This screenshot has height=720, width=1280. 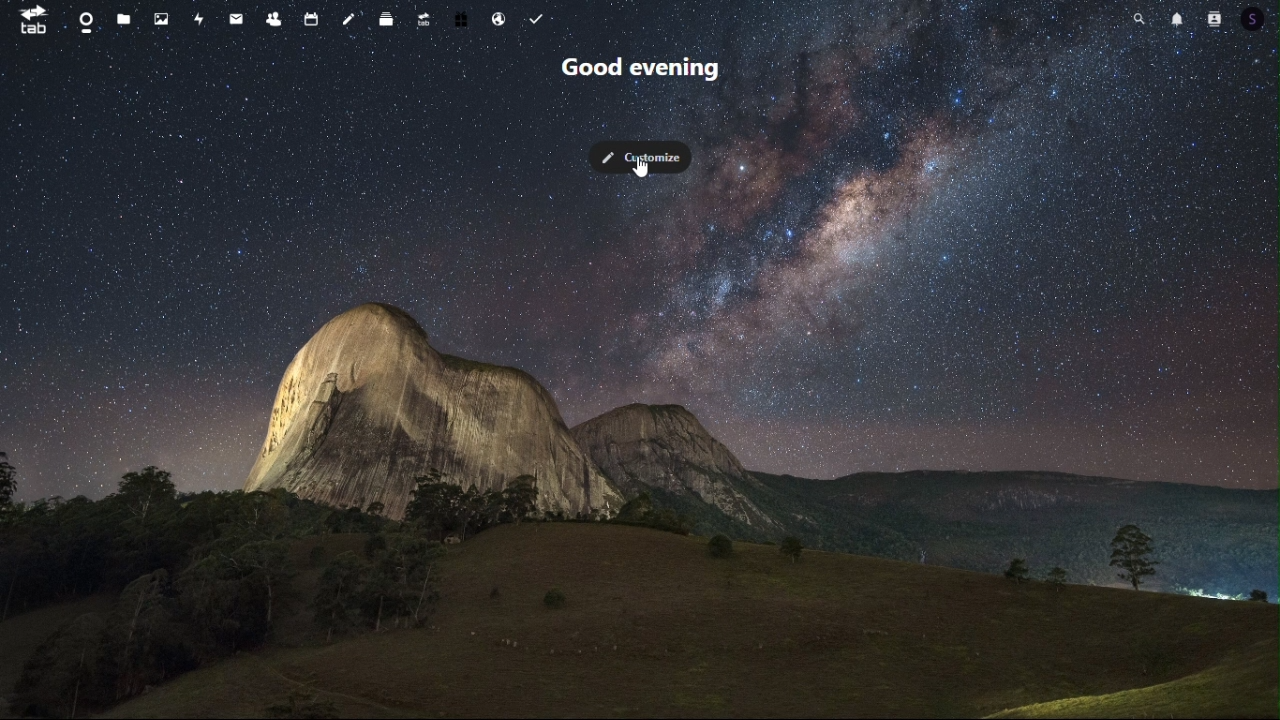 I want to click on deck, so click(x=390, y=19).